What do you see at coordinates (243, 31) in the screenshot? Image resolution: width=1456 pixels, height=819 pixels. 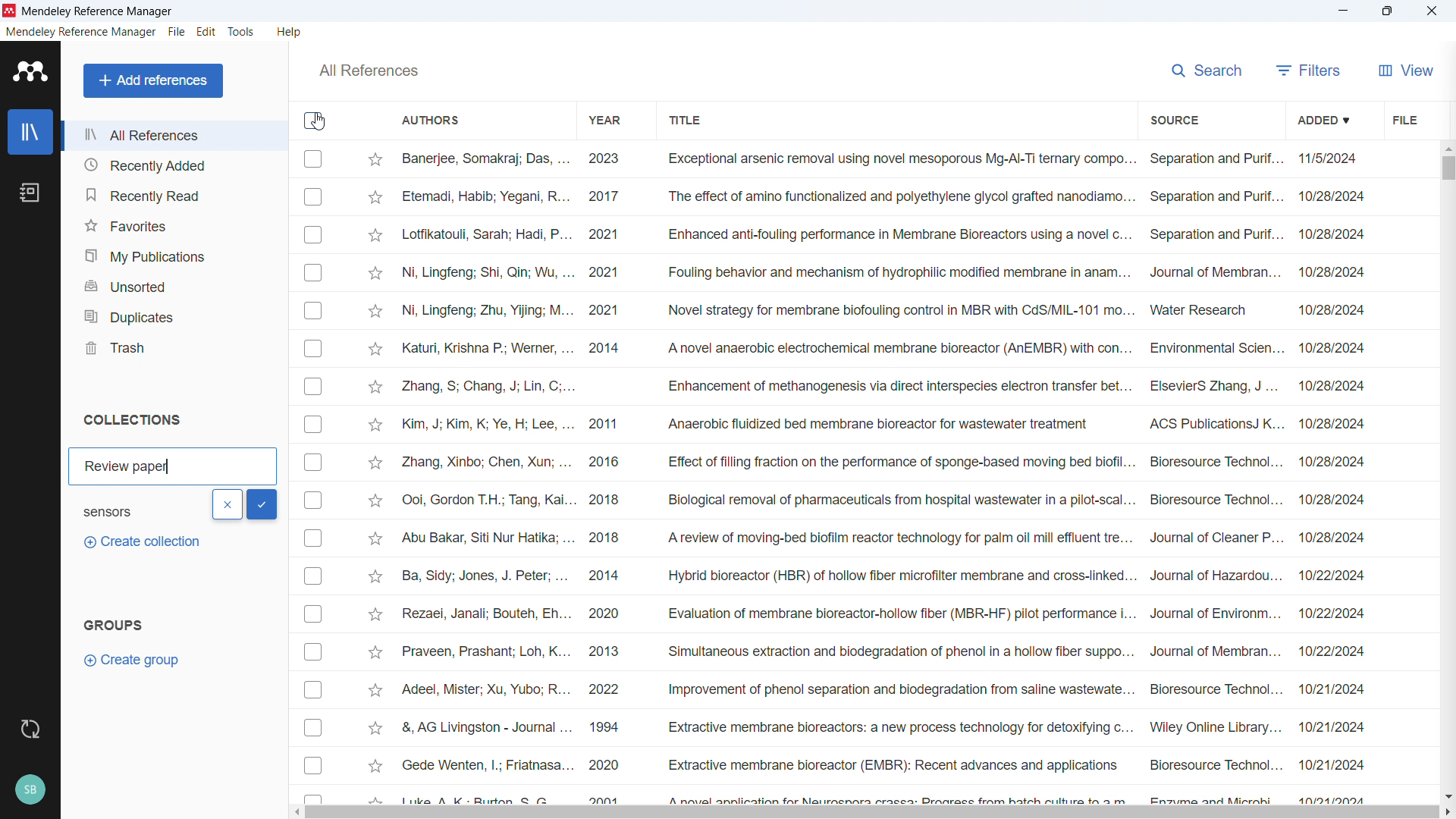 I see `tools` at bounding box center [243, 31].